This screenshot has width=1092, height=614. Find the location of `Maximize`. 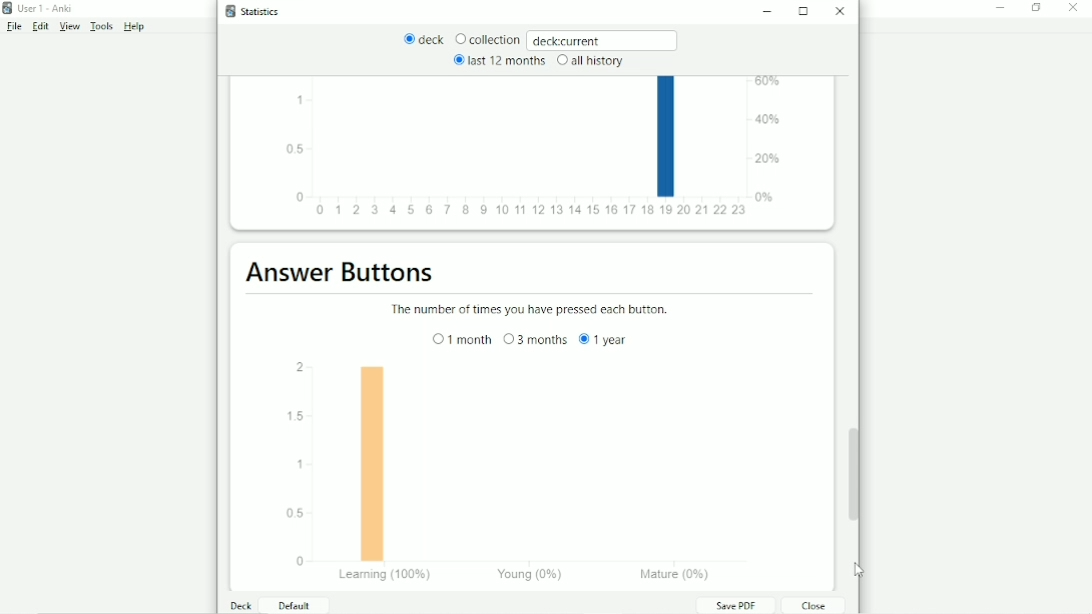

Maximize is located at coordinates (805, 11).